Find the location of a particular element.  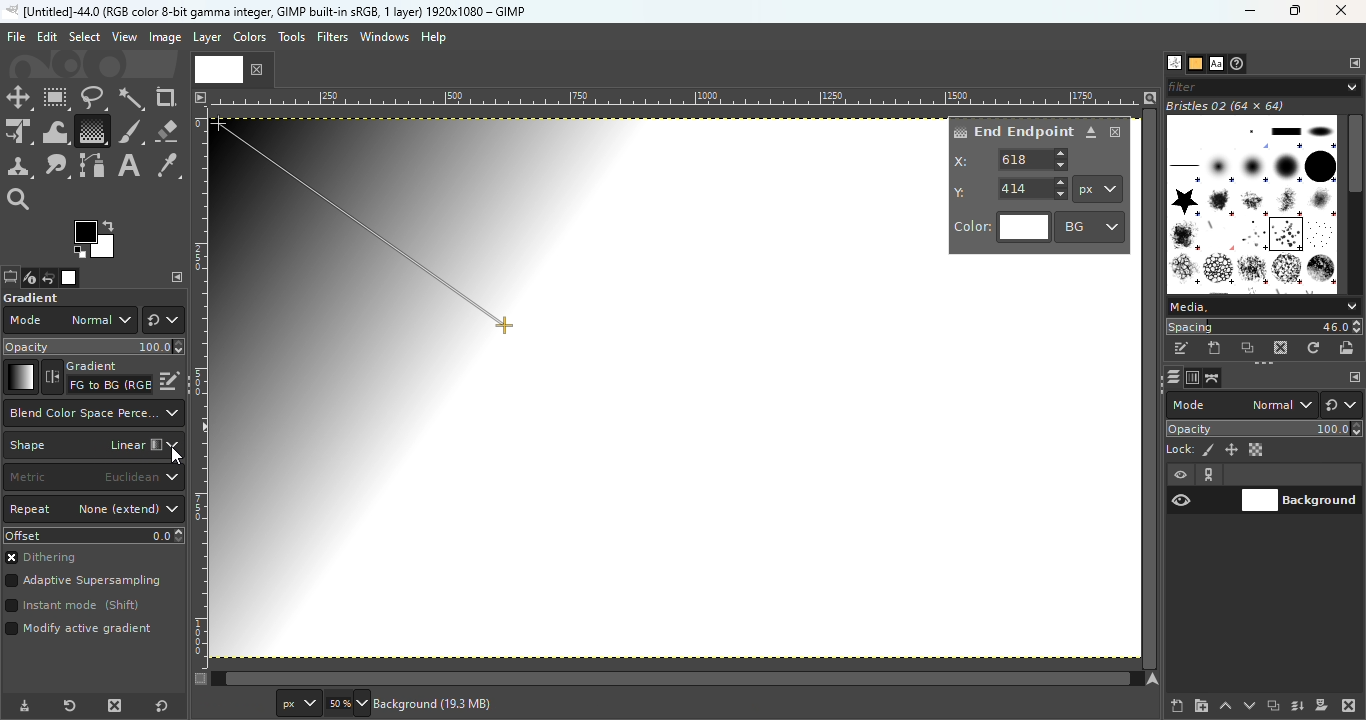

Open the undo history dialog is located at coordinates (49, 277).